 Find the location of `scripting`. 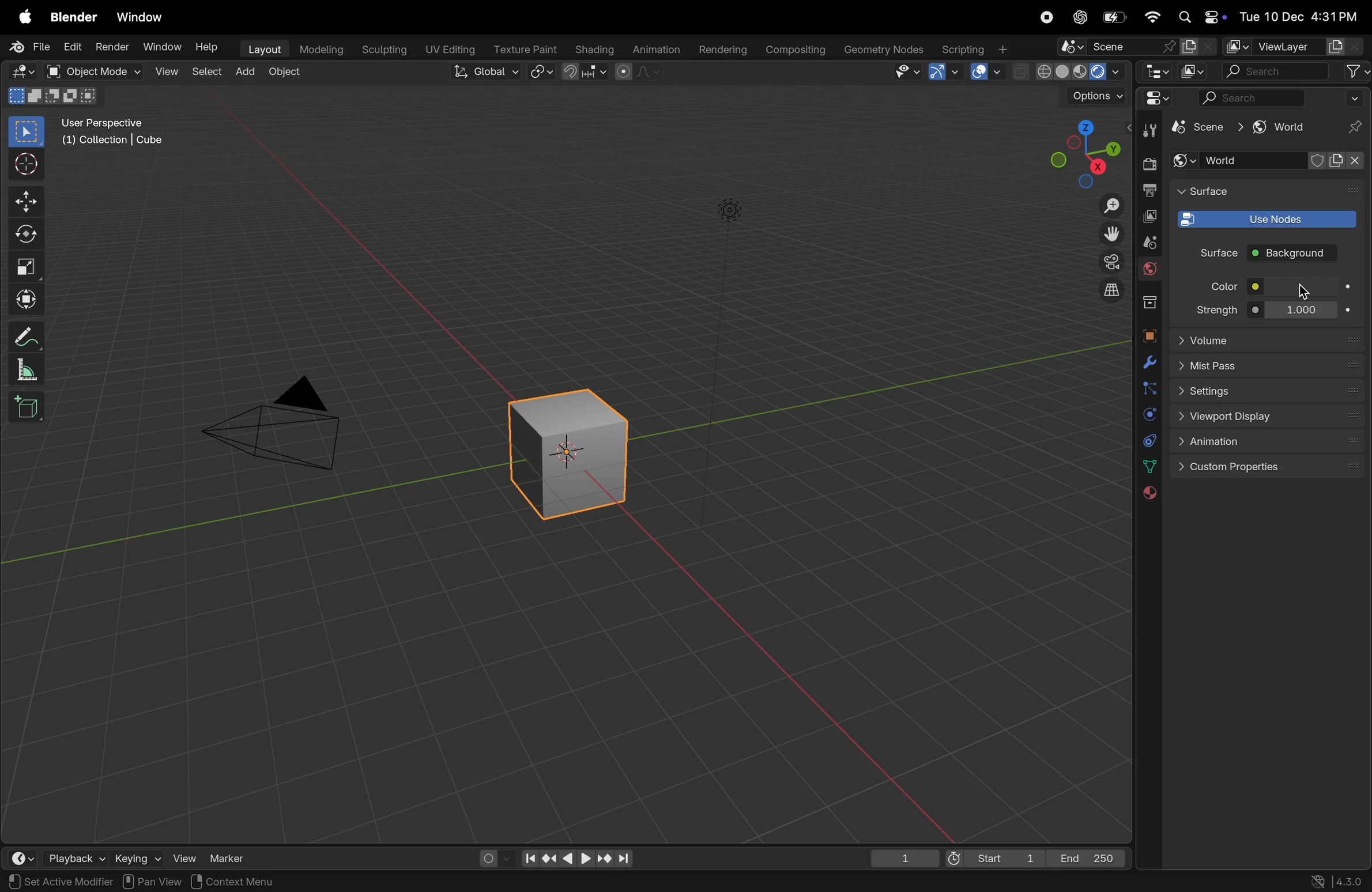

scripting is located at coordinates (977, 48).